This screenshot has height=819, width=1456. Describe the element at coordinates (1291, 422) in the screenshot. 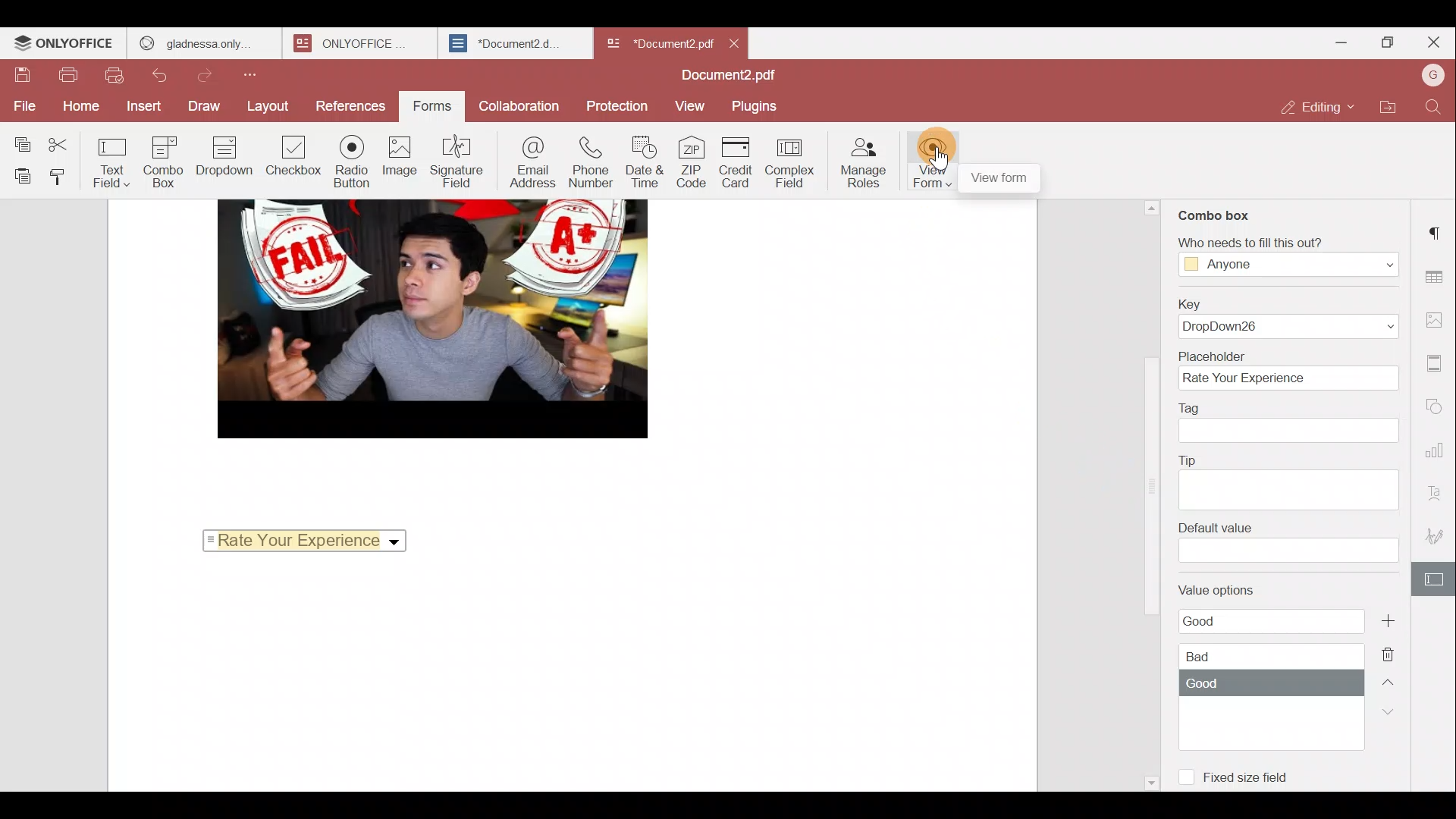

I see `Tag` at that location.